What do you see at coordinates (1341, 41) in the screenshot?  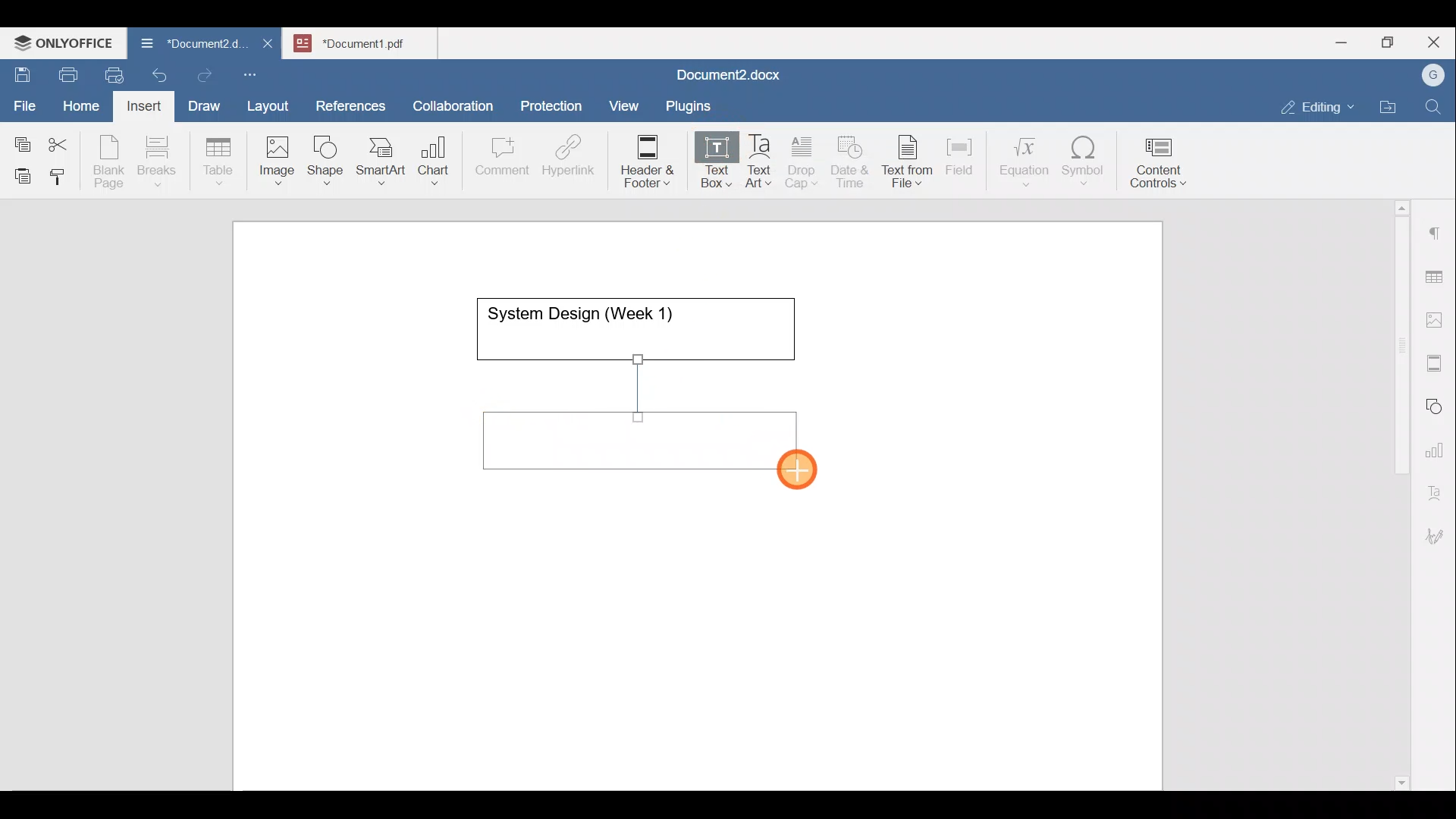 I see `Minimize` at bounding box center [1341, 41].